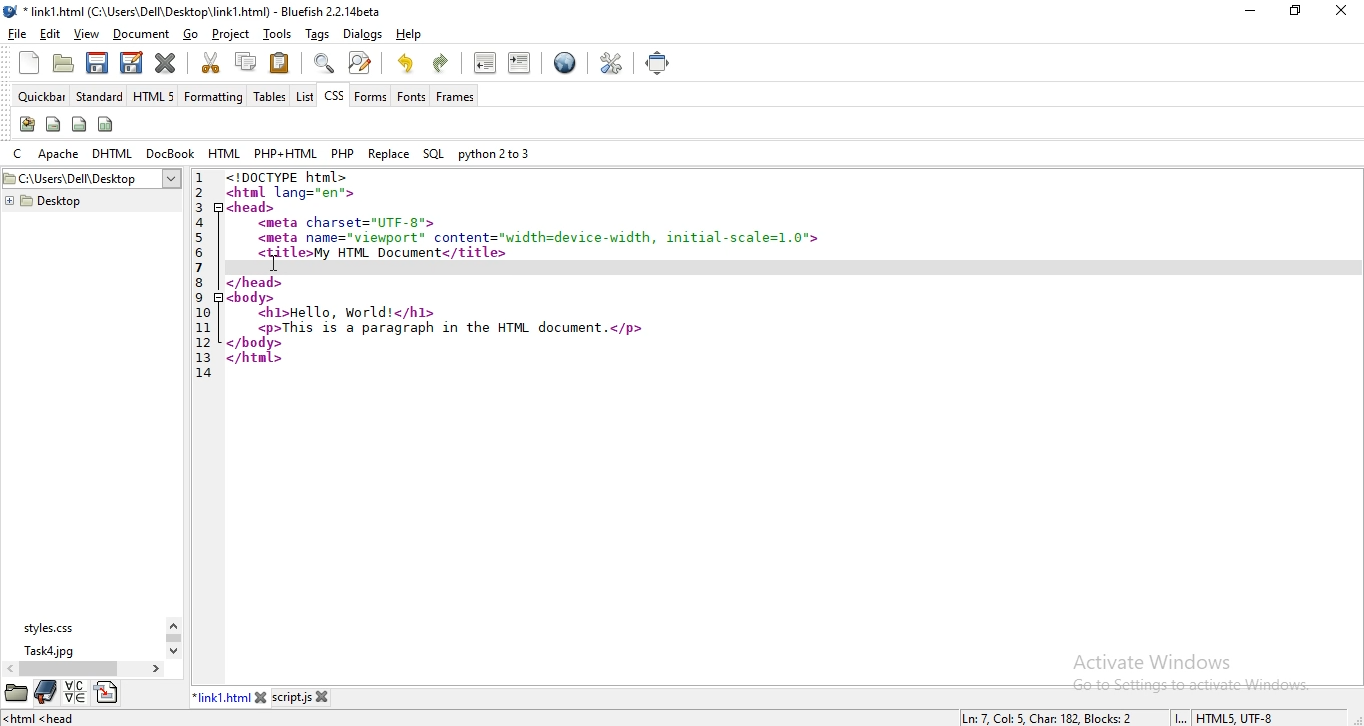 This screenshot has height=726, width=1364. What do you see at coordinates (27, 62) in the screenshot?
I see `new file` at bounding box center [27, 62].